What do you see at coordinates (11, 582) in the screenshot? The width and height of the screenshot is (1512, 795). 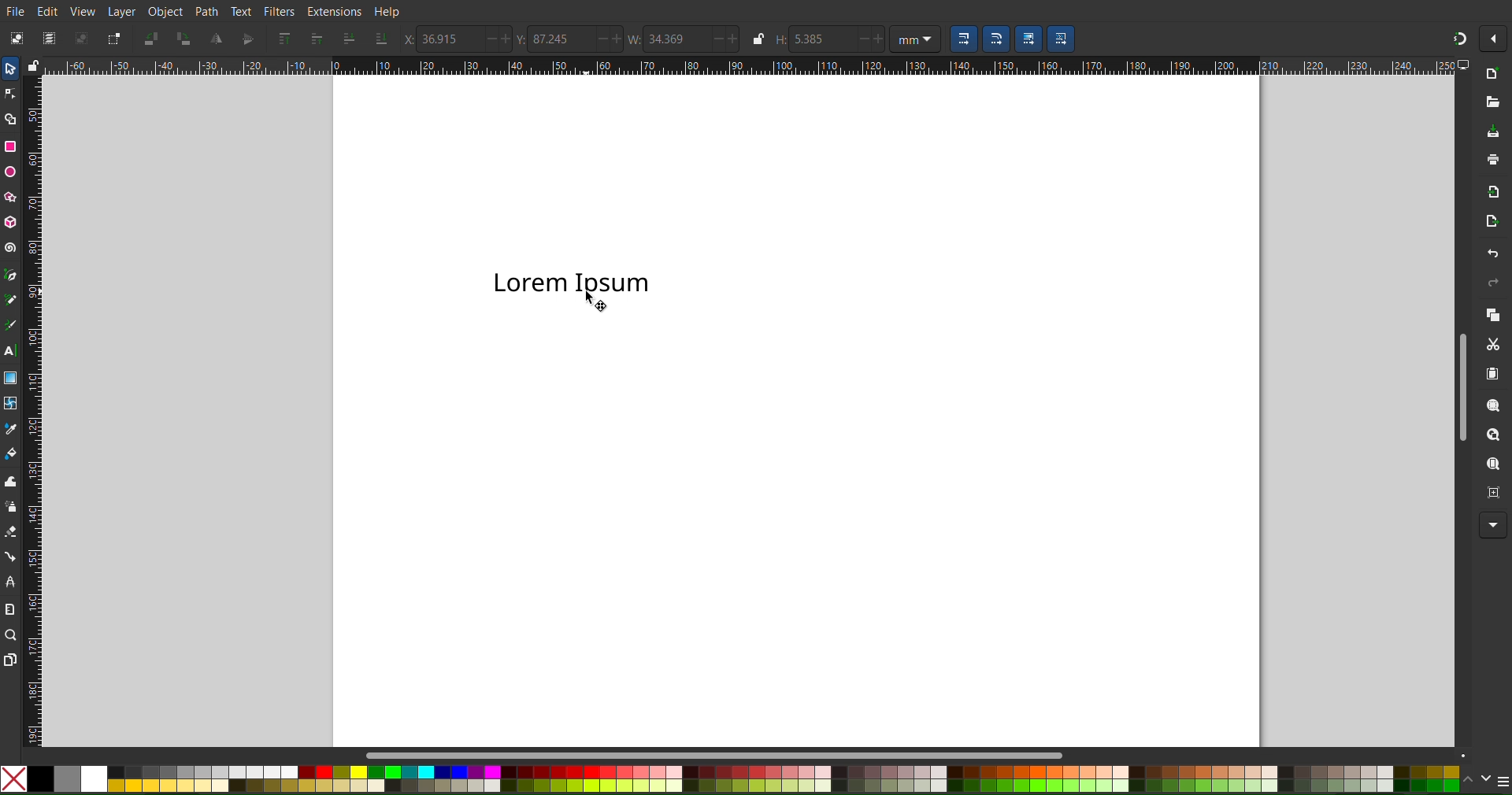 I see `LPE Tool` at bounding box center [11, 582].